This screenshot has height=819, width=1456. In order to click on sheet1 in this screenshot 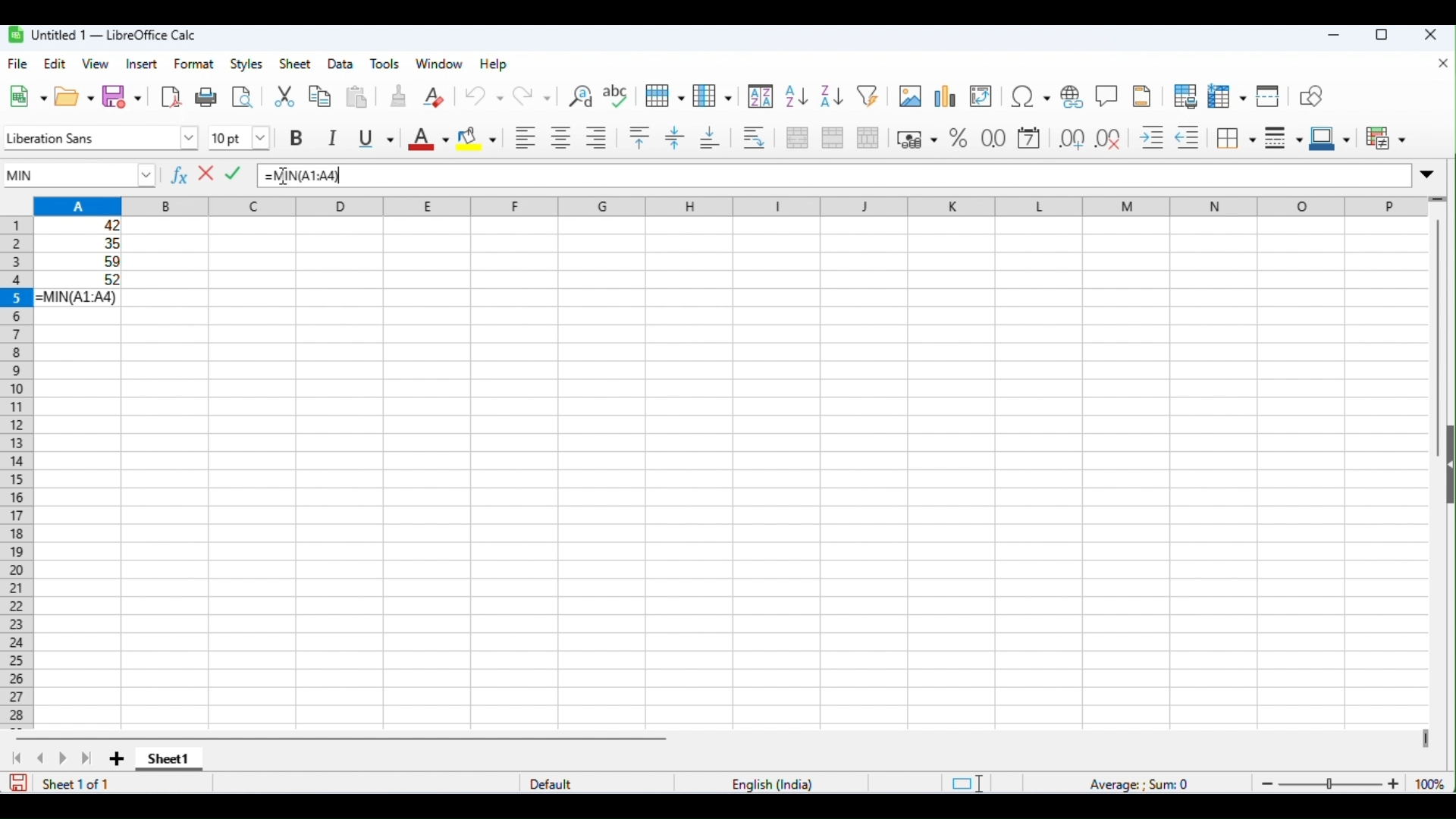, I will do `click(169, 761)`.